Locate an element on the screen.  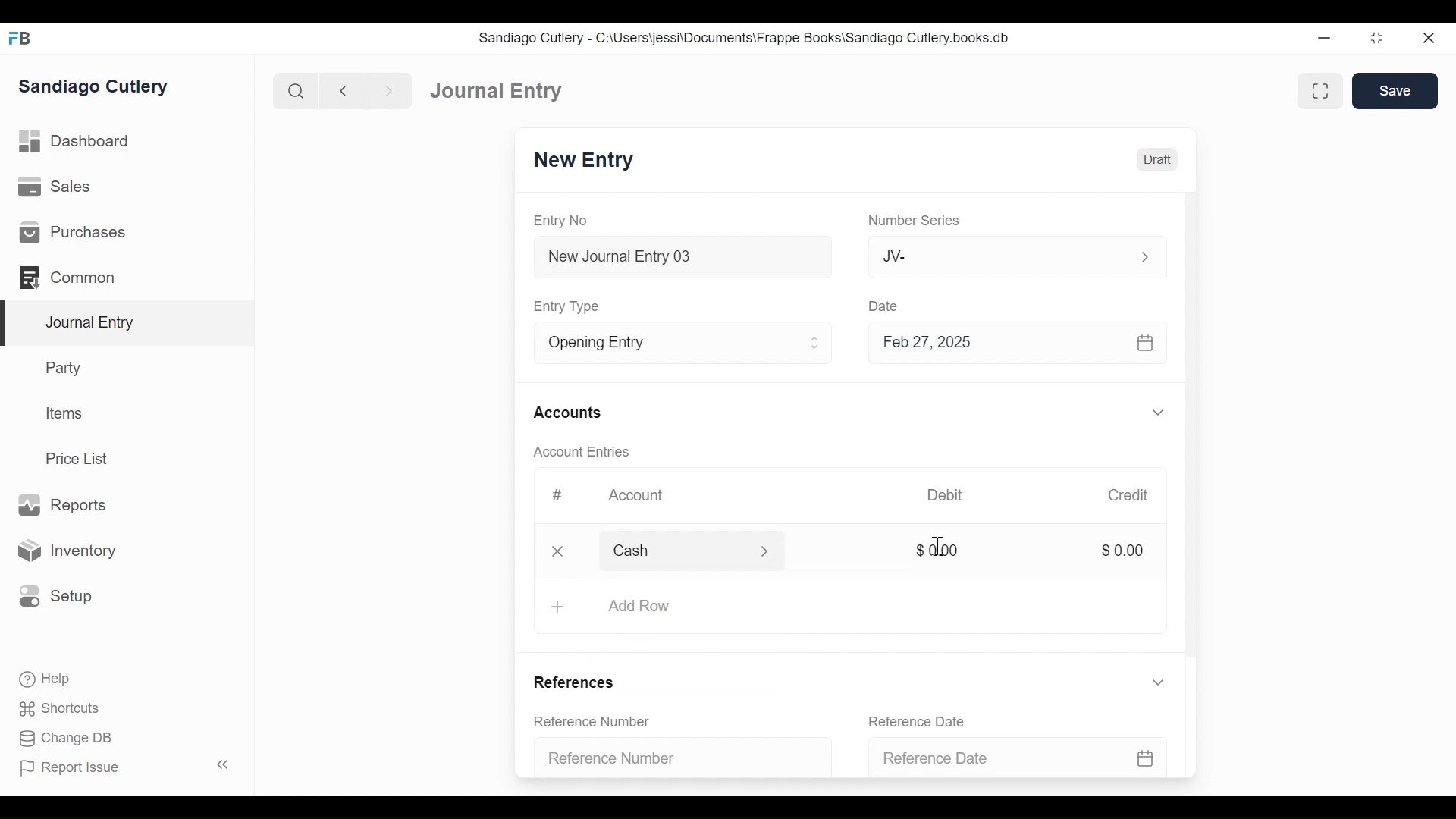
Sandiago Cutlery - C:\Users\jessi\Documents\Frappe Books\Sandiago Cutlery.books.db is located at coordinates (745, 37).